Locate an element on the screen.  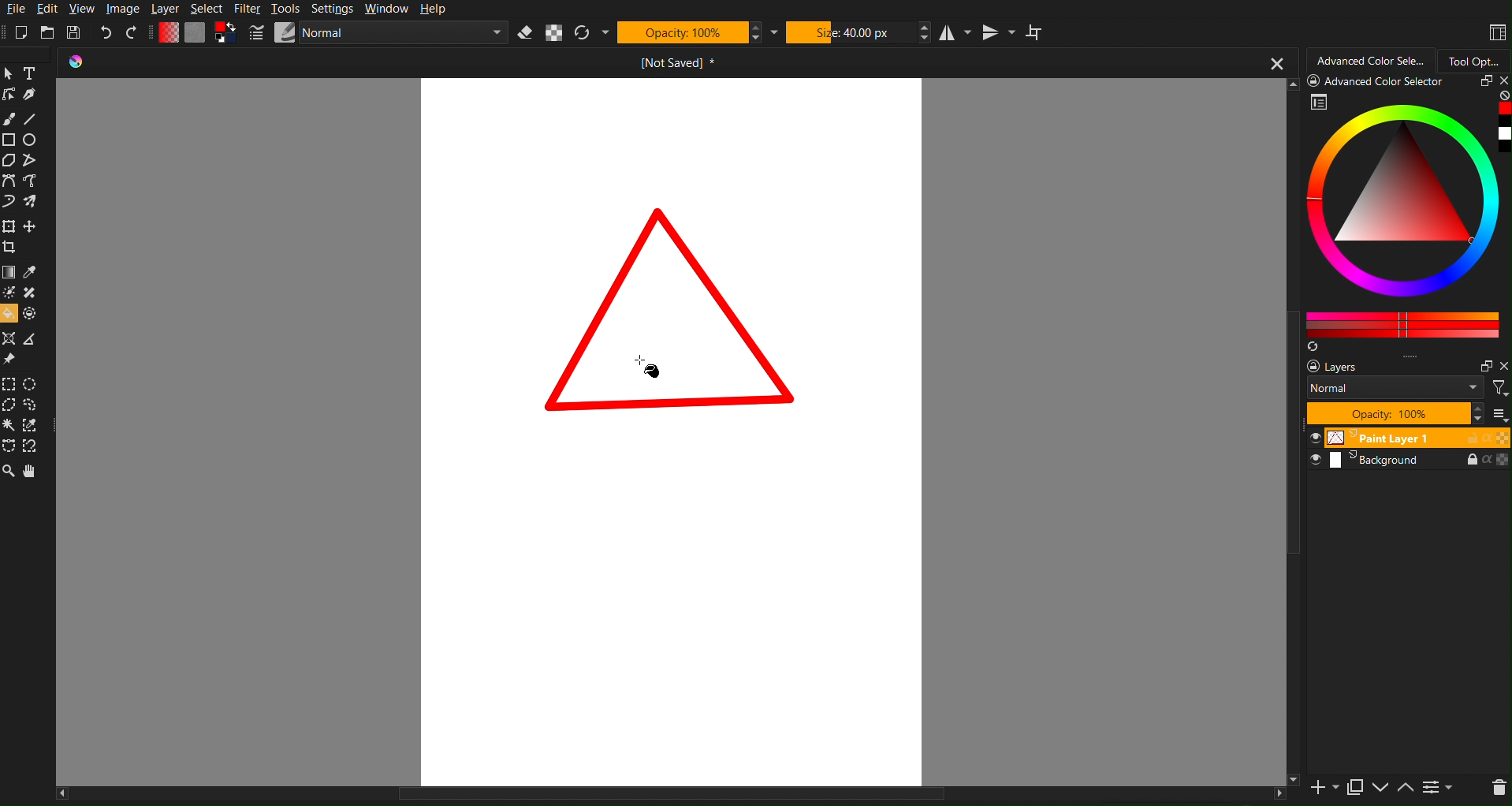
restore panel is located at coordinates (1483, 83).